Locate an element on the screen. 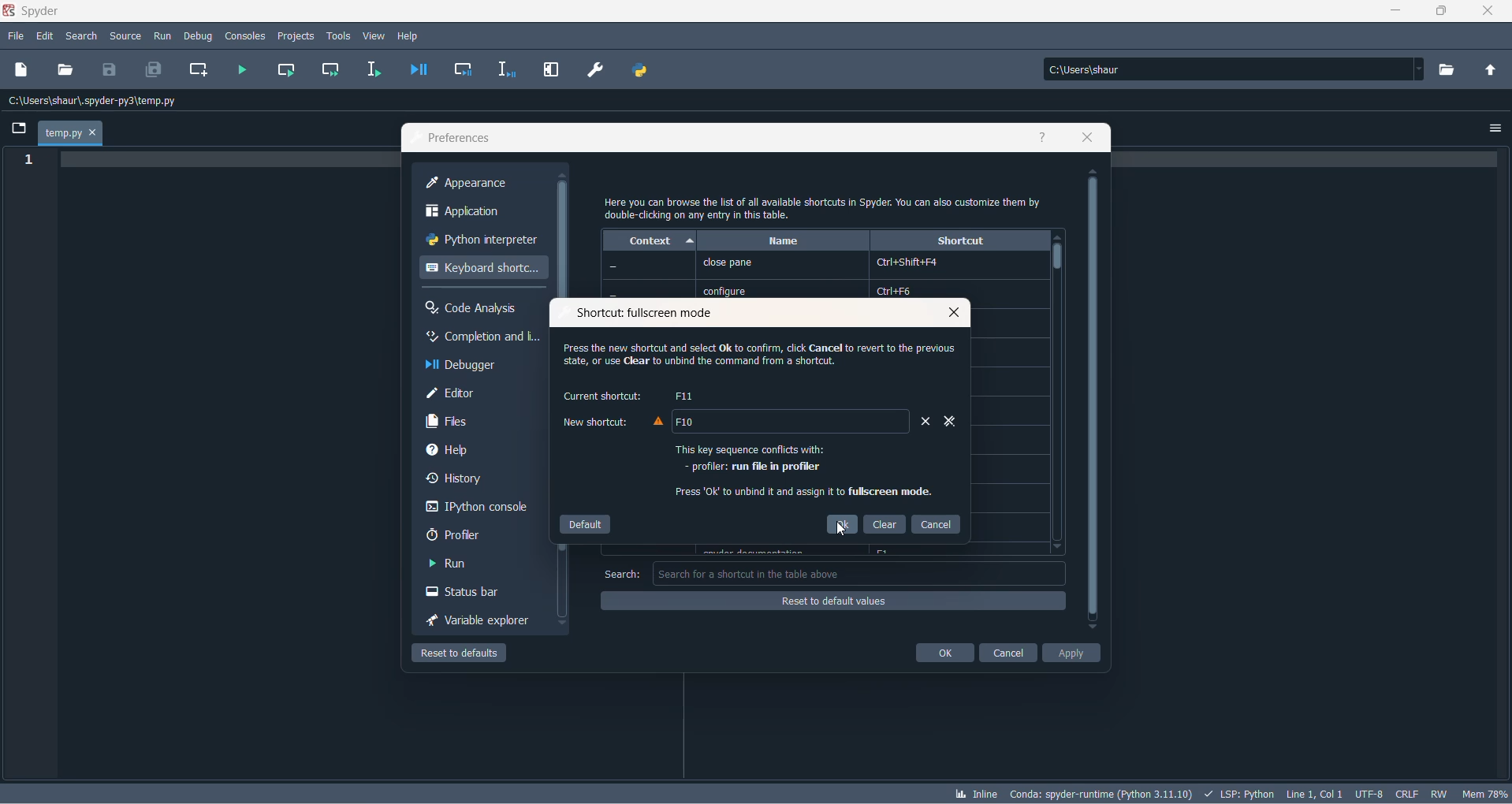 This screenshot has height=804, width=1512. charset is located at coordinates (1369, 792).